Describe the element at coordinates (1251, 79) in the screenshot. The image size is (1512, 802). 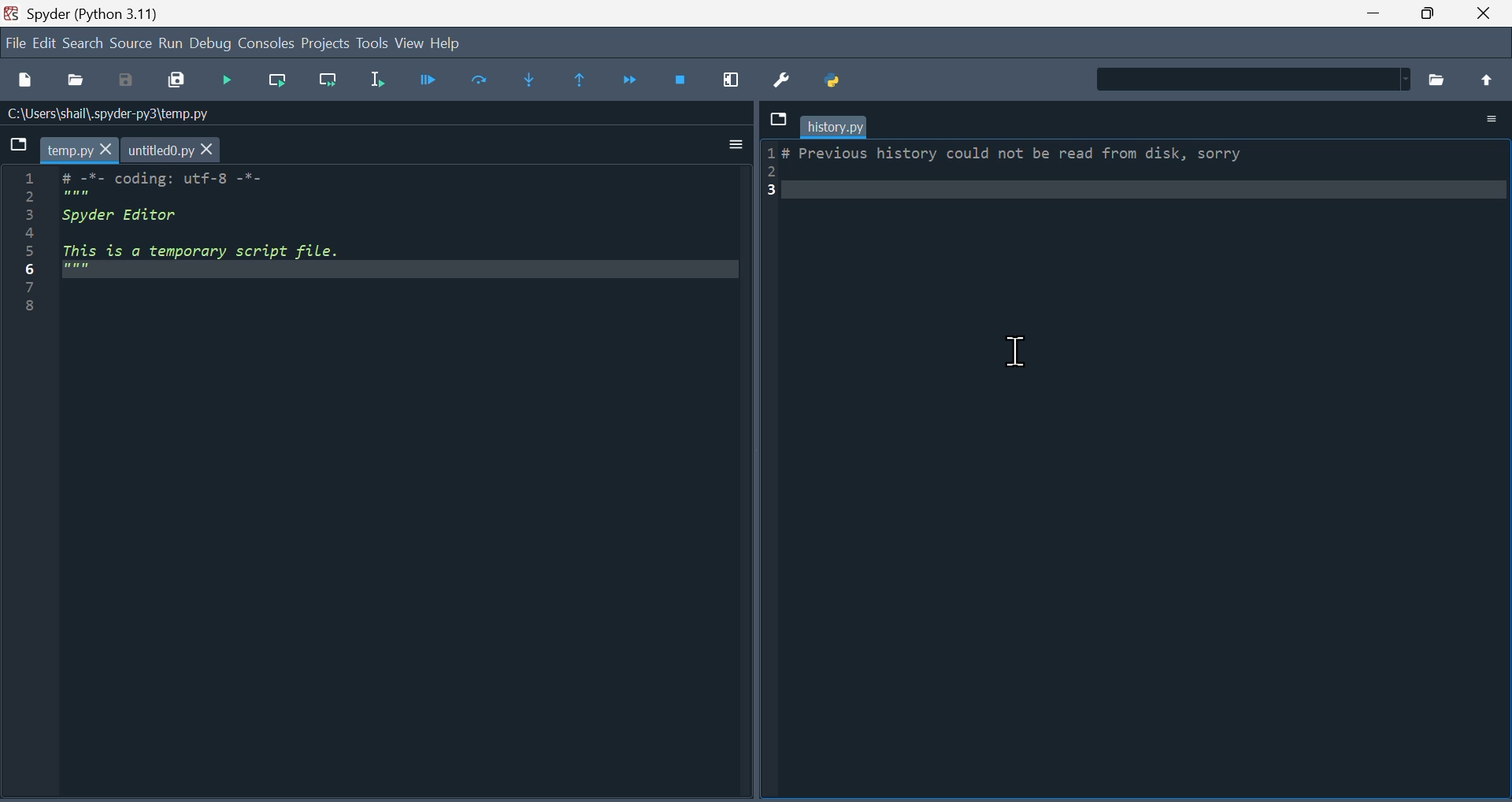
I see `Find in Files` at that location.